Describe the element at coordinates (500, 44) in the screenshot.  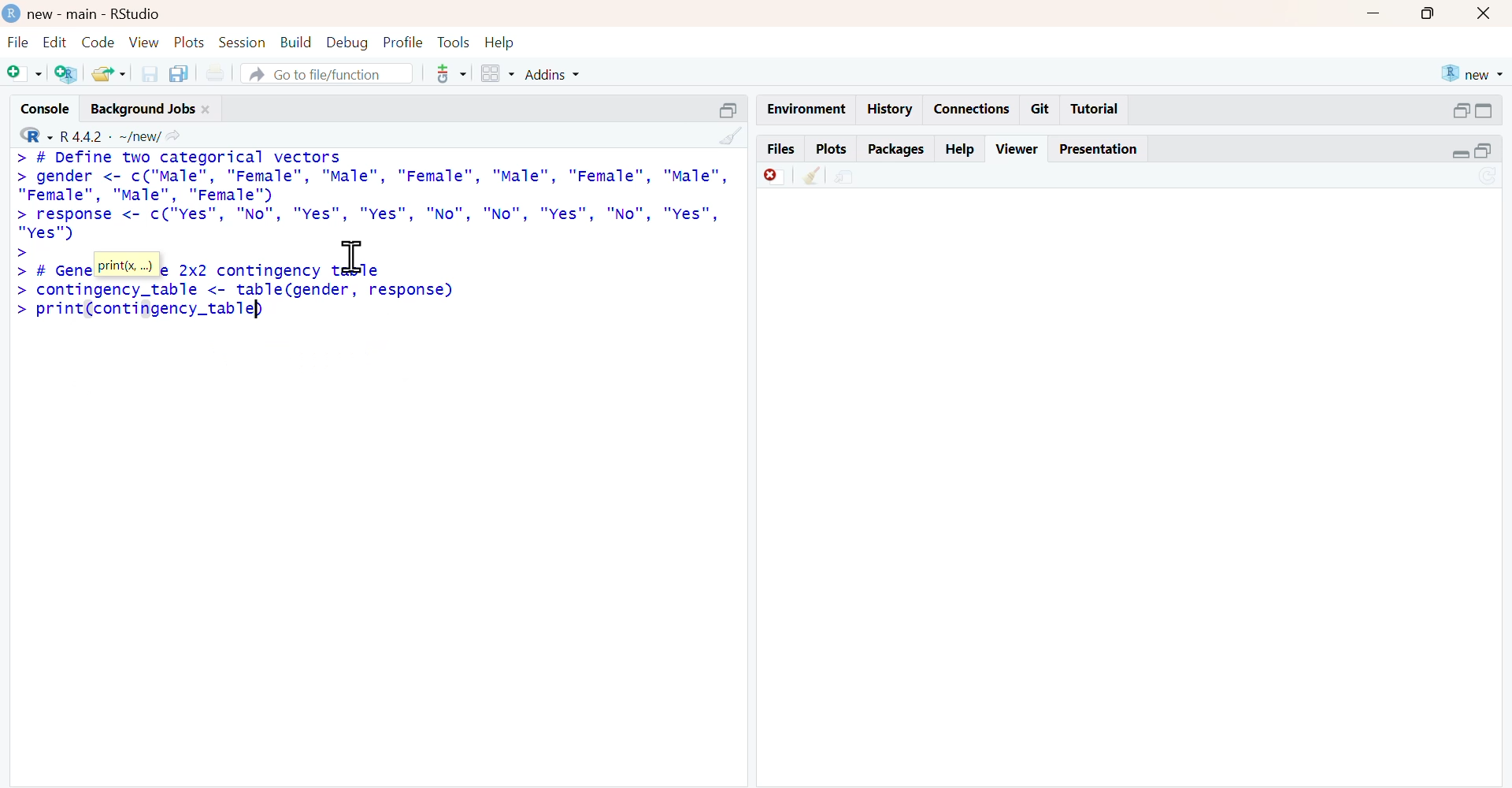
I see `help` at that location.